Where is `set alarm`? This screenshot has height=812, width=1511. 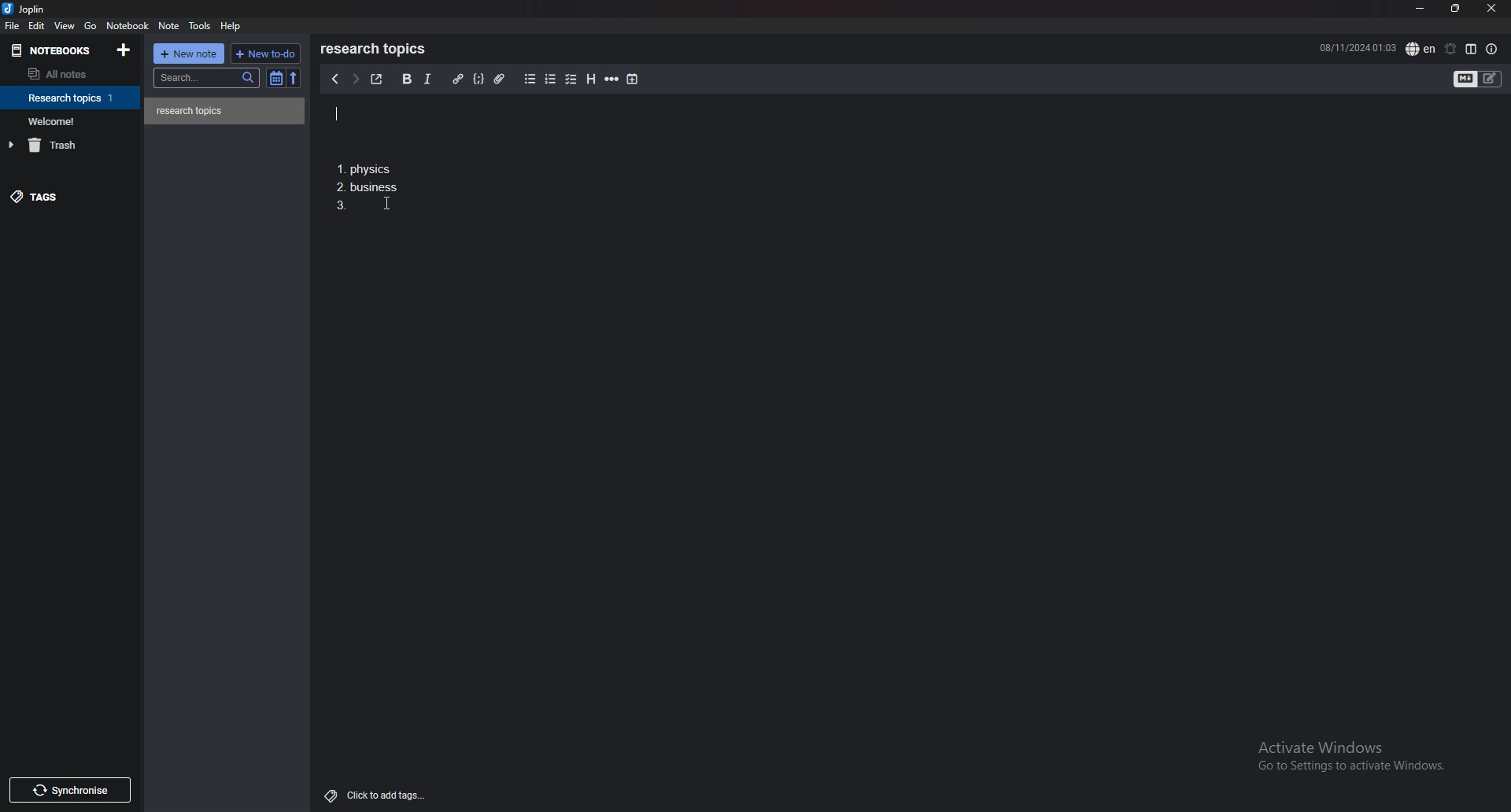 set alarm is located at coordinates (1449, 49).